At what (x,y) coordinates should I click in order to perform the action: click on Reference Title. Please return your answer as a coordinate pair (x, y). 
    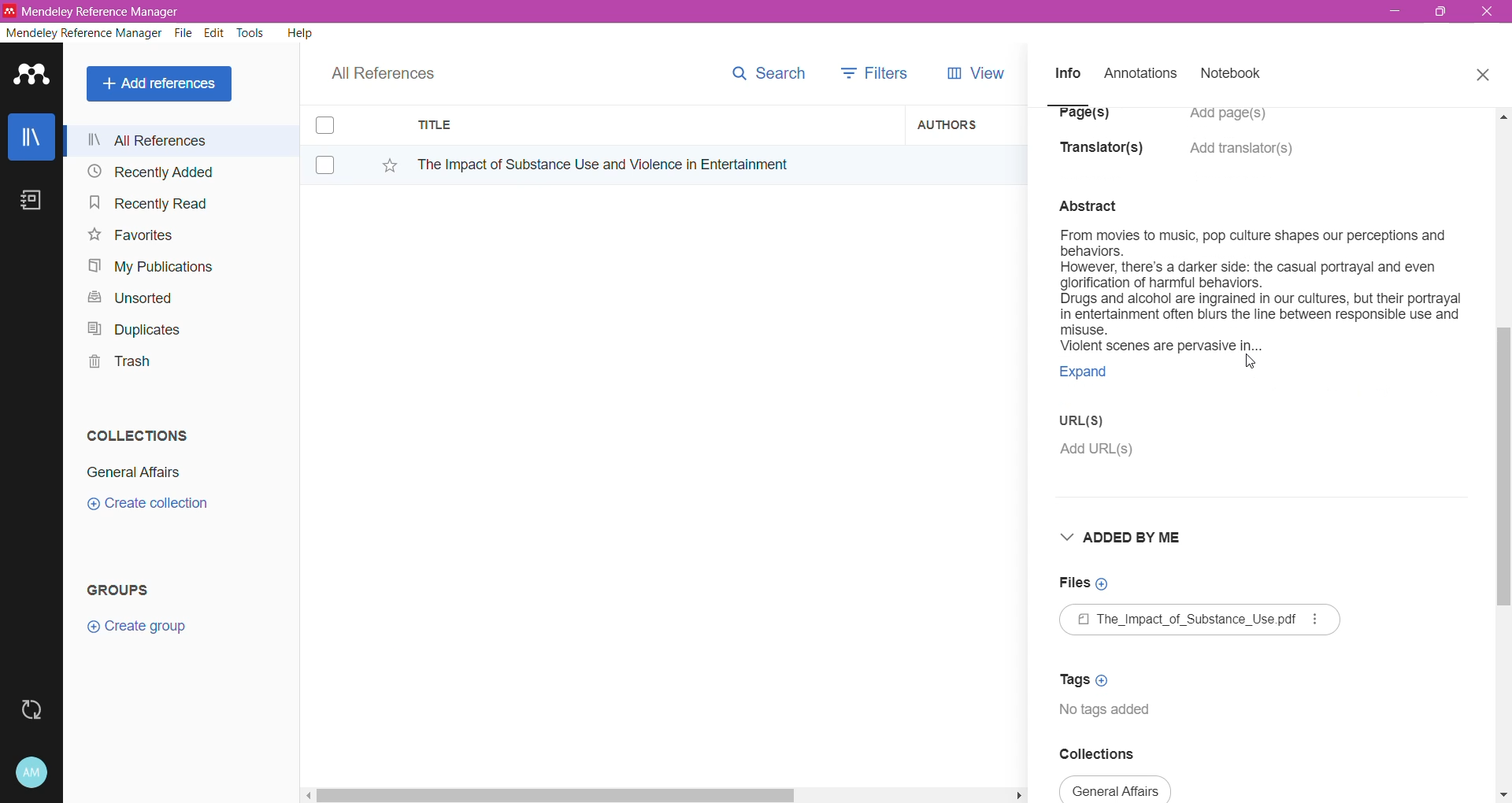
    Looking at the image, I should click on (653, 164).